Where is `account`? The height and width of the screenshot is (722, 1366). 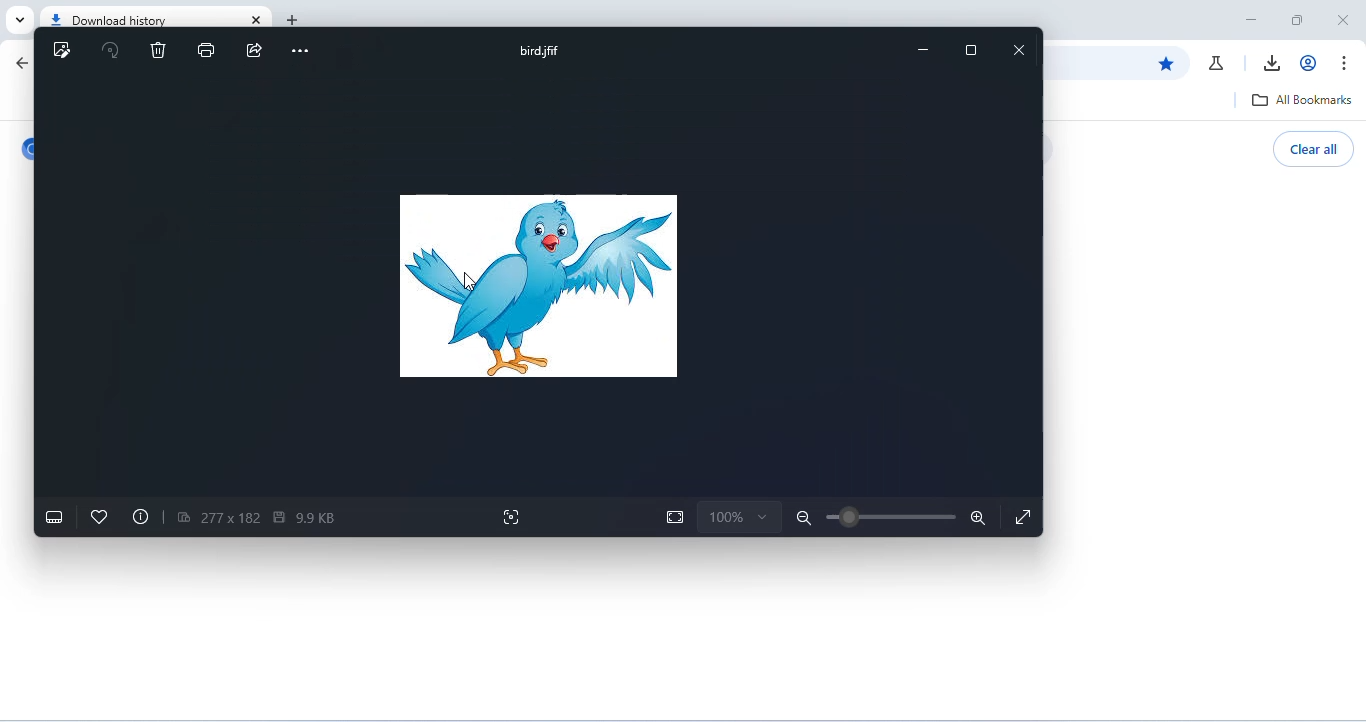 account is located at coordinates (1309, 61).